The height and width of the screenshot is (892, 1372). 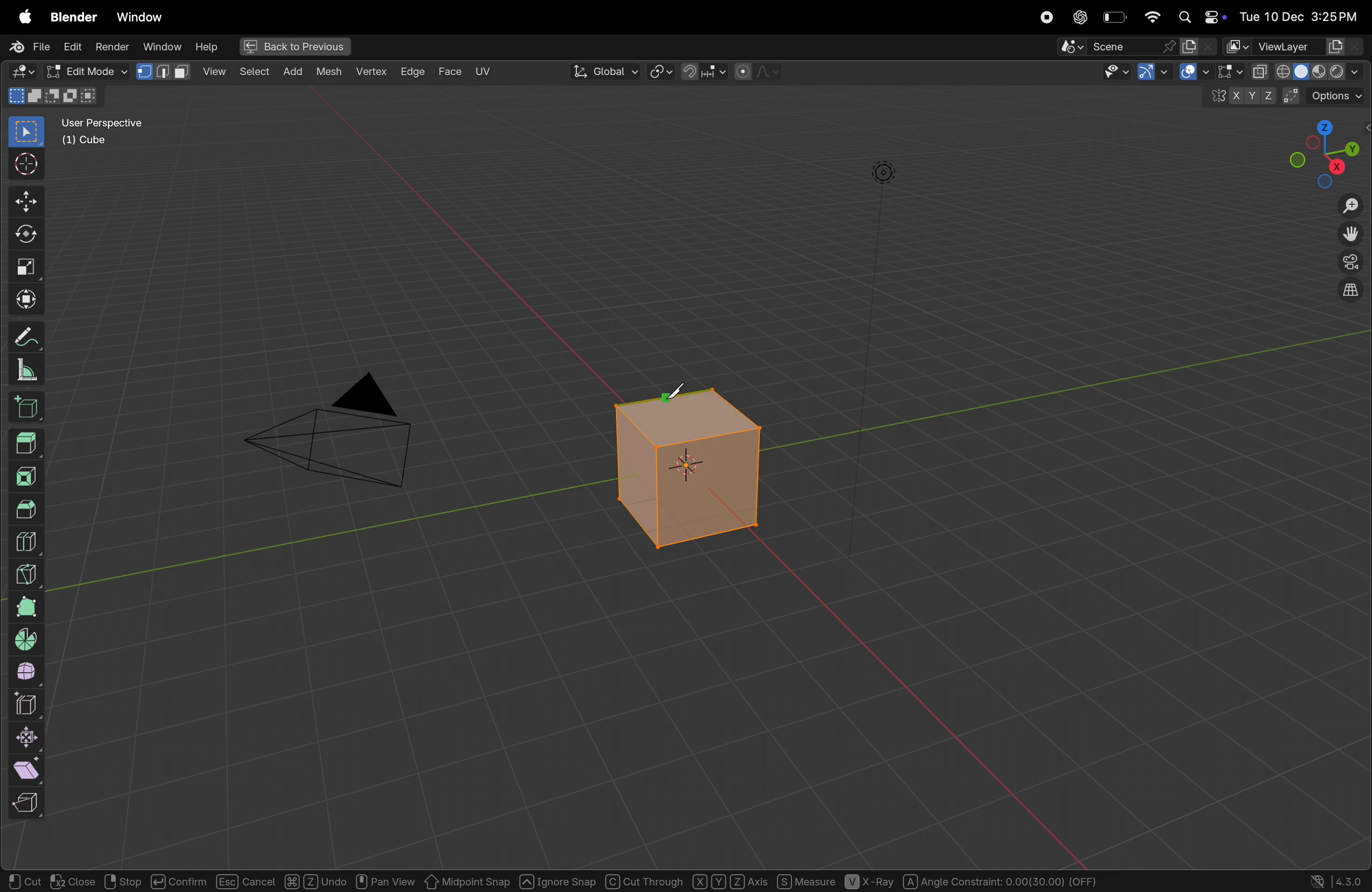 What do you see at coordinates (166, 71) in the screenshot?
I see `View` at bounding box center [166, 71].